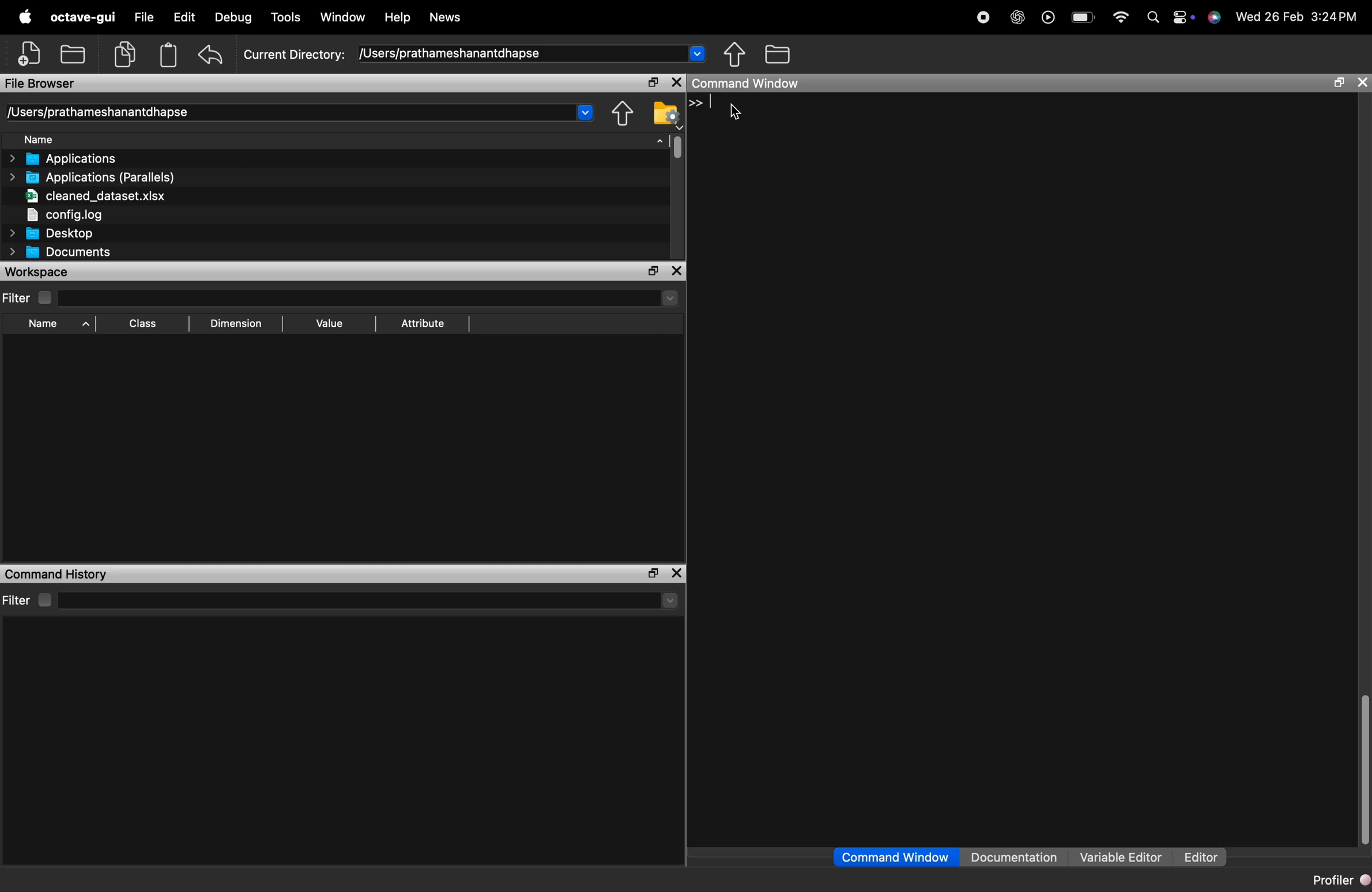 The image size is (1372, 892). Describe the element at coordinates (1336, 84) in the screenshot. I see `maximize` at that location.